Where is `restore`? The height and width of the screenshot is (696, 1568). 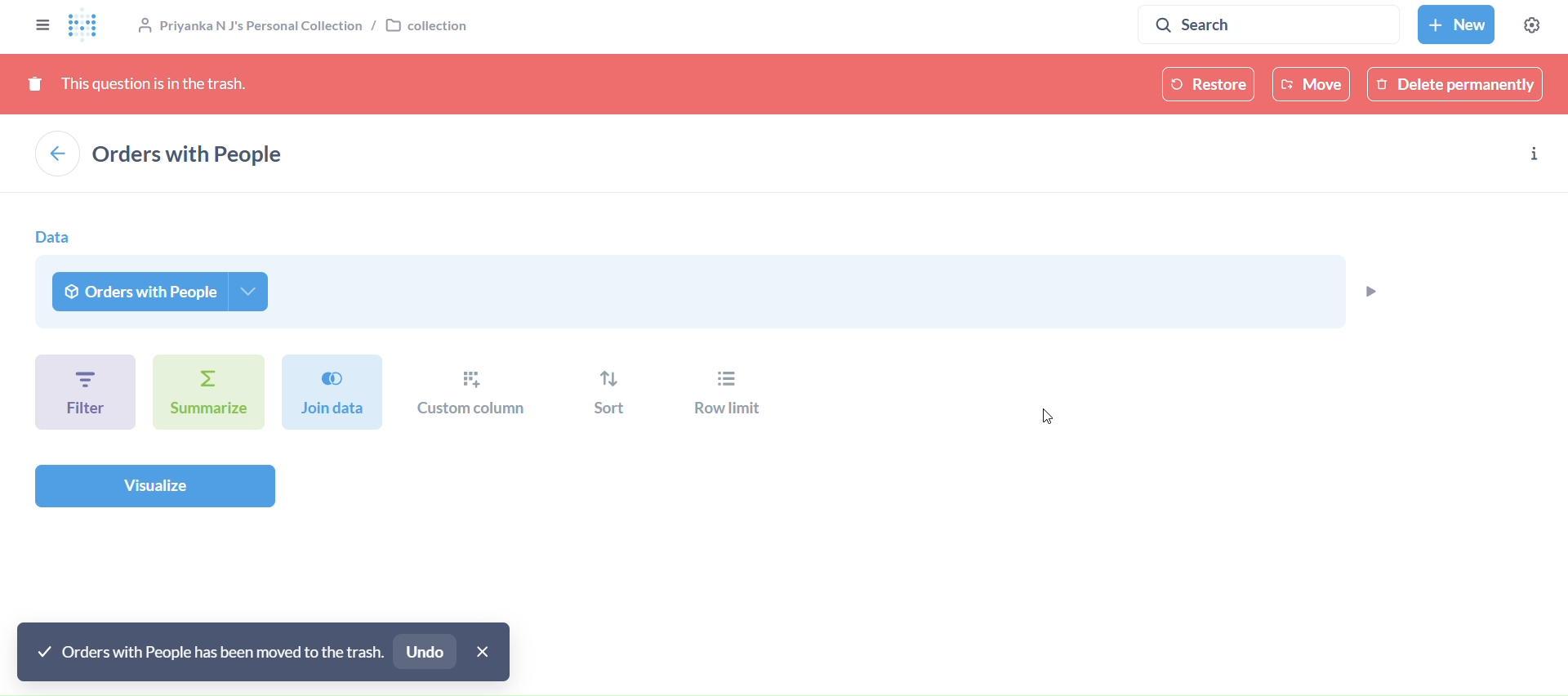
restore is located at coordinates (1211, 86).